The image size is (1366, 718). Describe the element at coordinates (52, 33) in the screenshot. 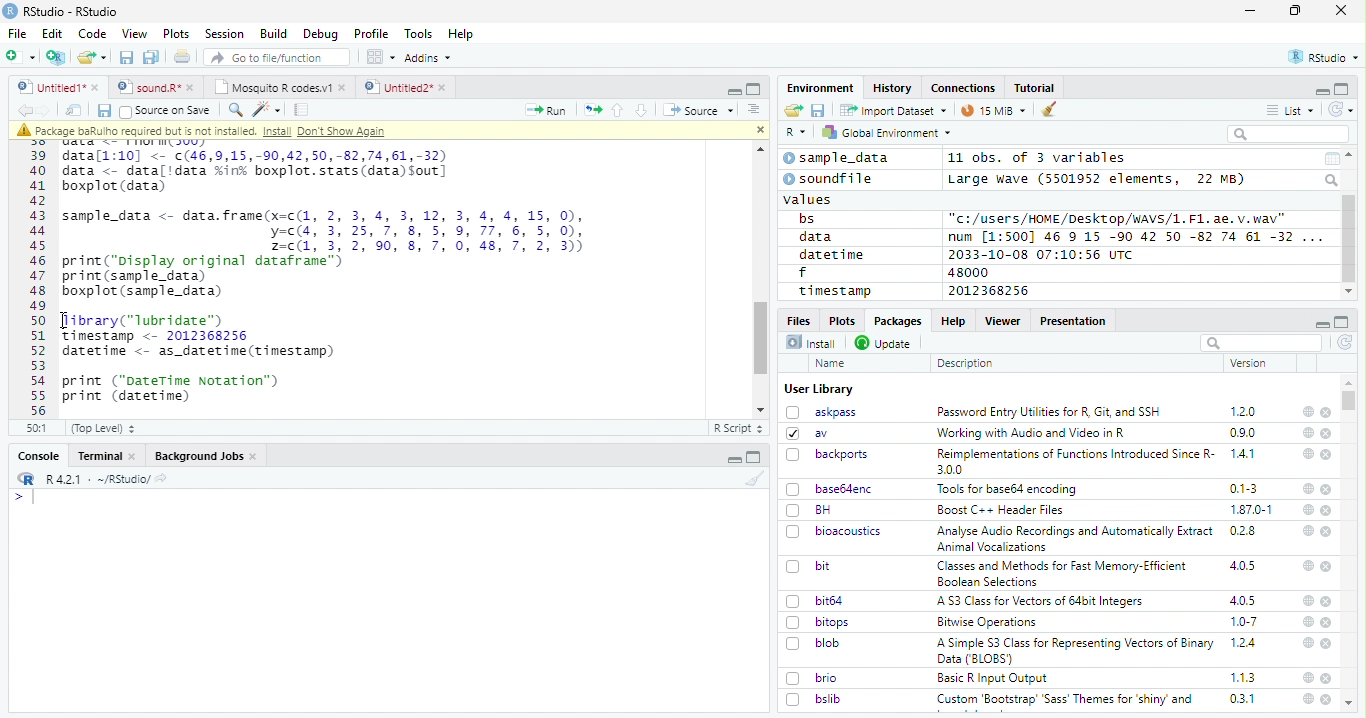

I see `Edit` at that location.